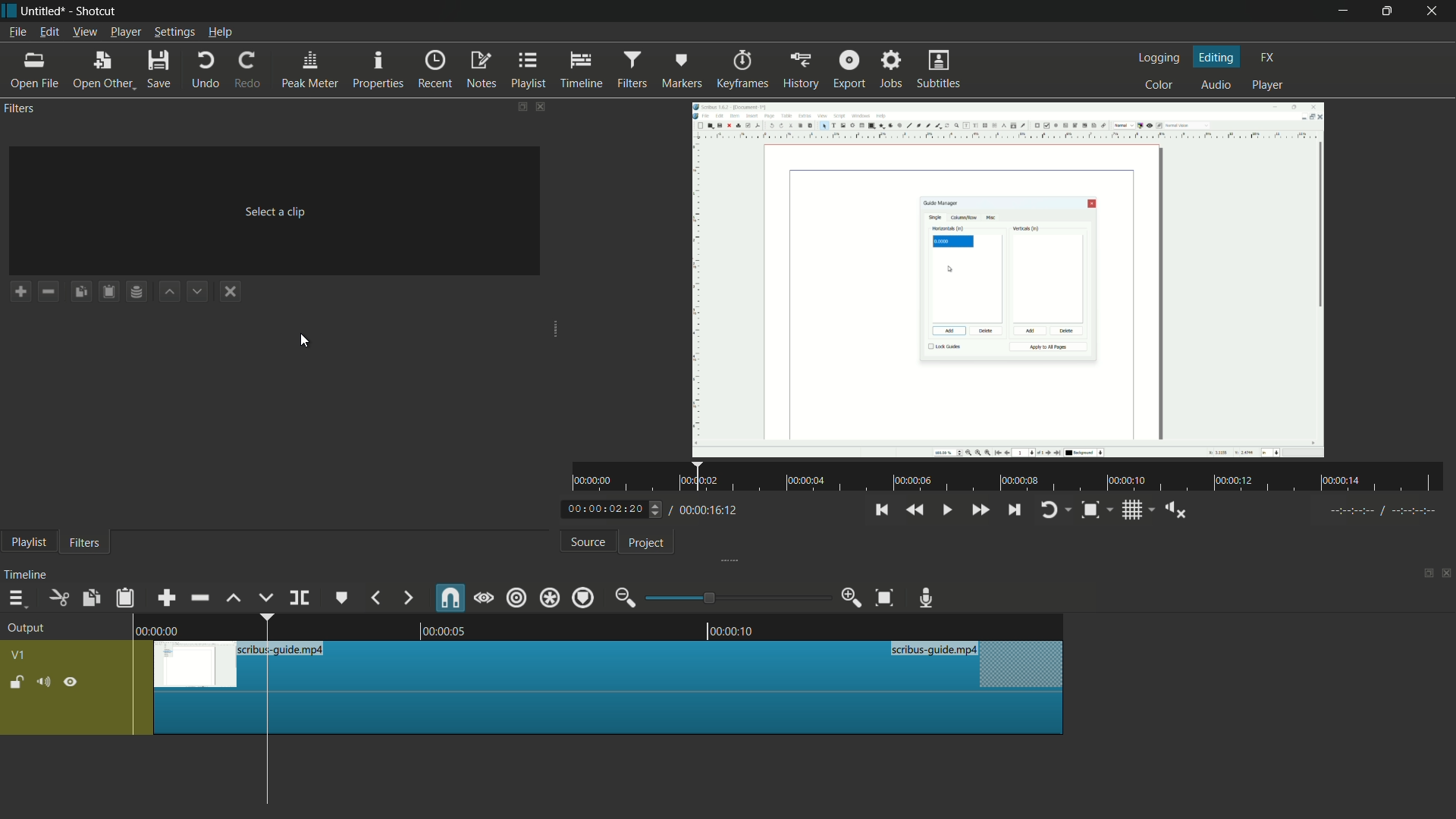 This screenshot has height=819, width=1456. Describe the element at coordinates (893, 68) in the screenshot. I see `jobs` at that location.